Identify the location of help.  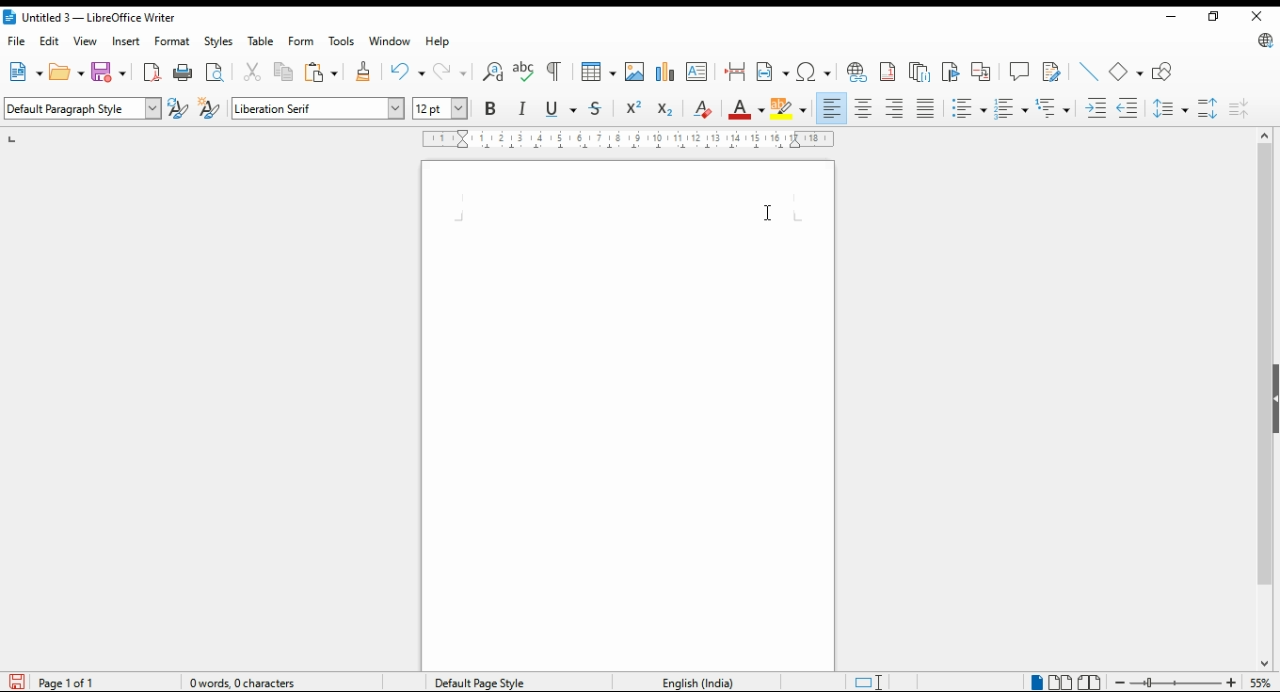
(439, 41).